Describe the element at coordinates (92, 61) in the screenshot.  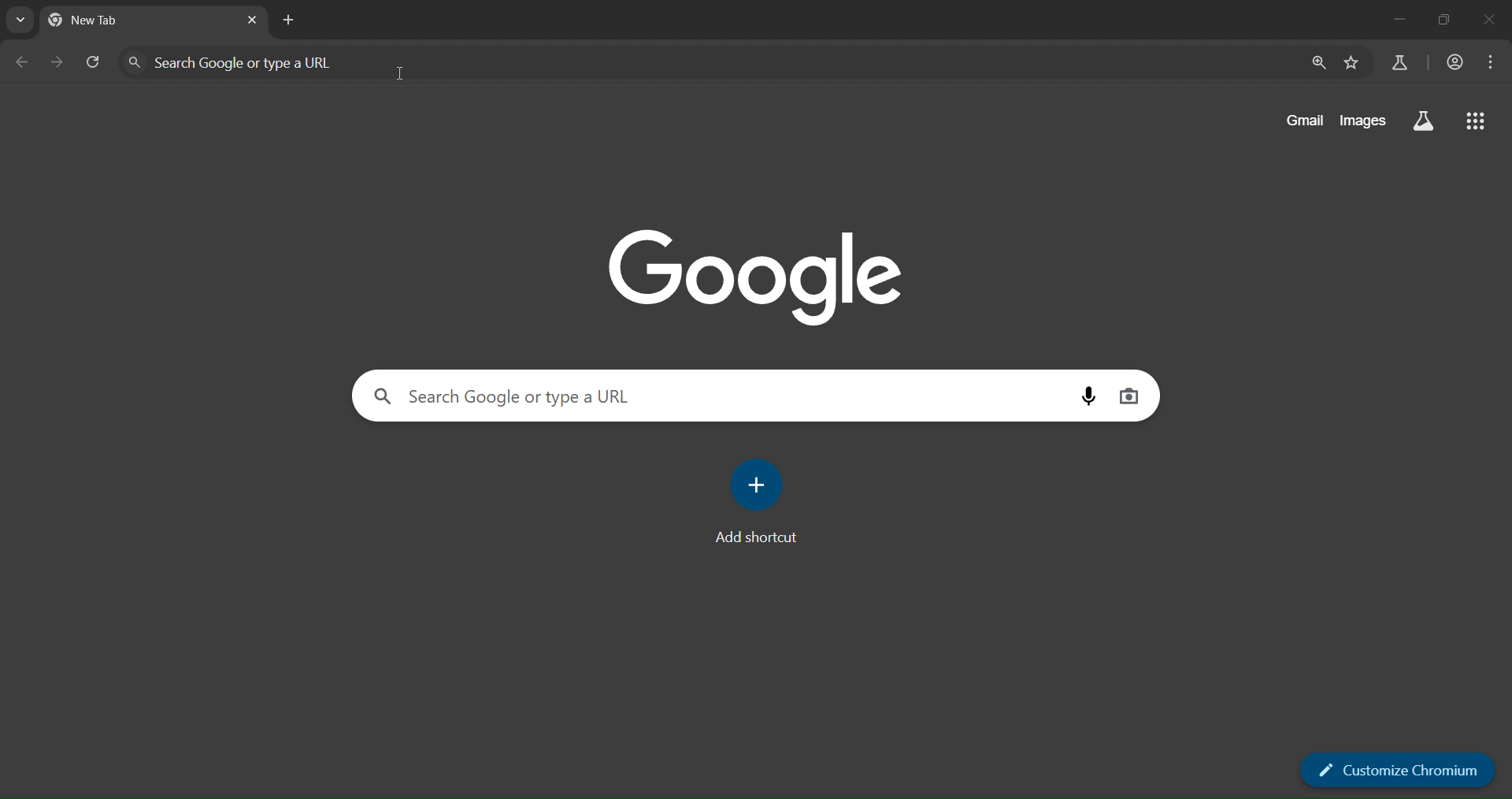
I see `reload page` at that location.